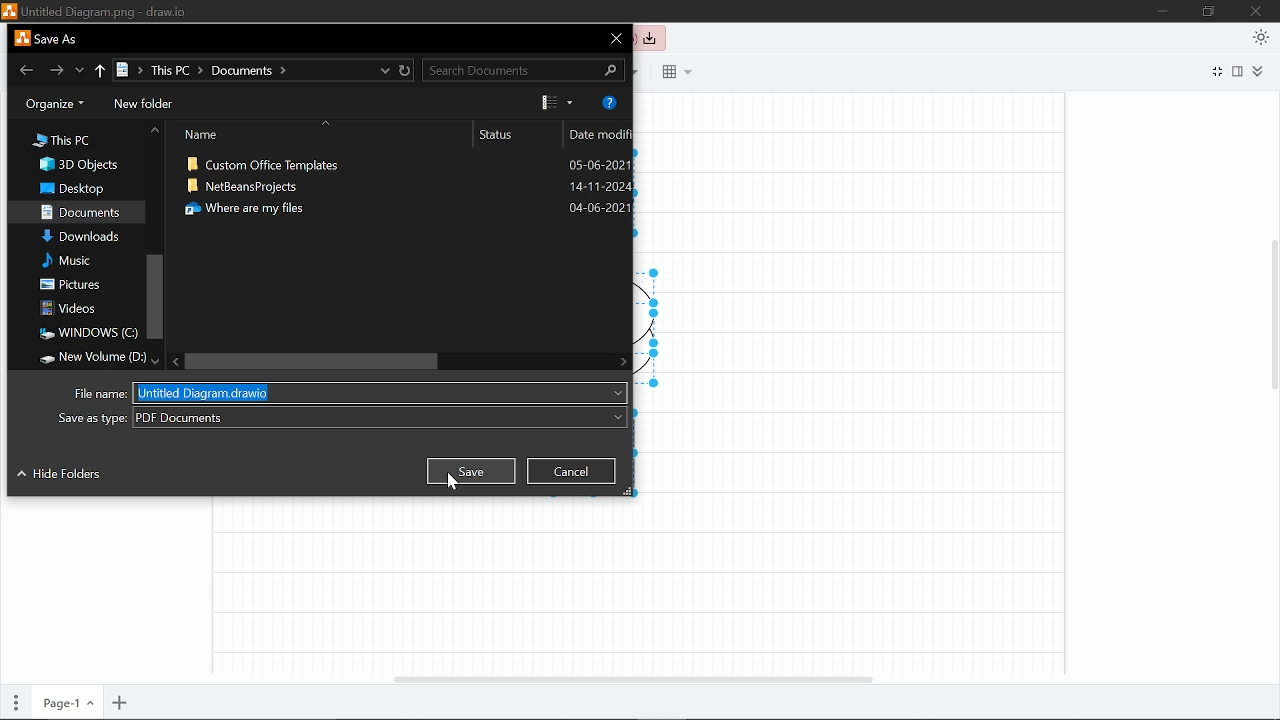 This screenshot has height=720, width=1280. I want to click on Organize, so click(54, 104).